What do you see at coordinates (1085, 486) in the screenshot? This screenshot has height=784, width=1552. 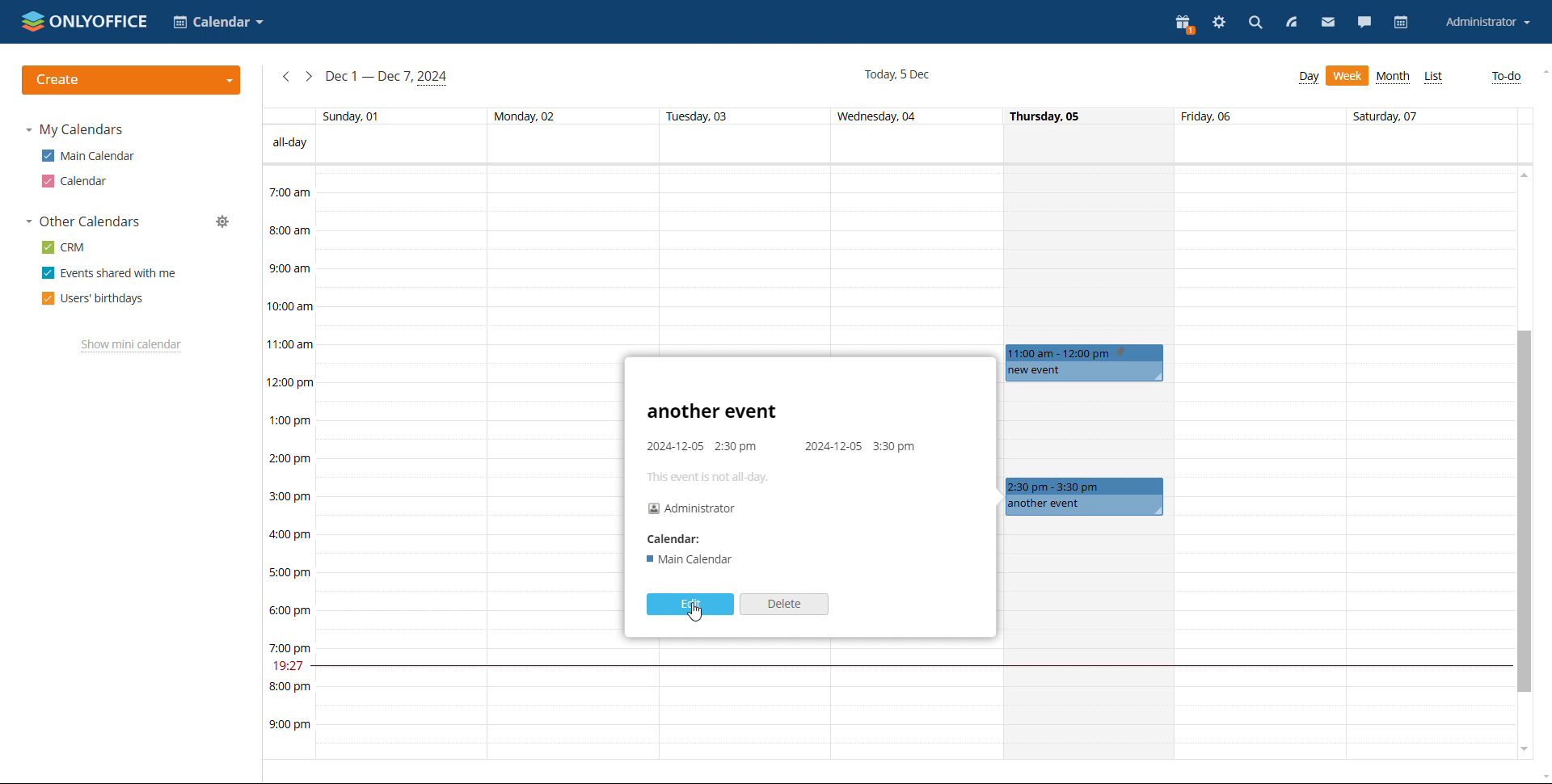 I see `2:30am to 3:30pm` at bounding box center [1085, 486].